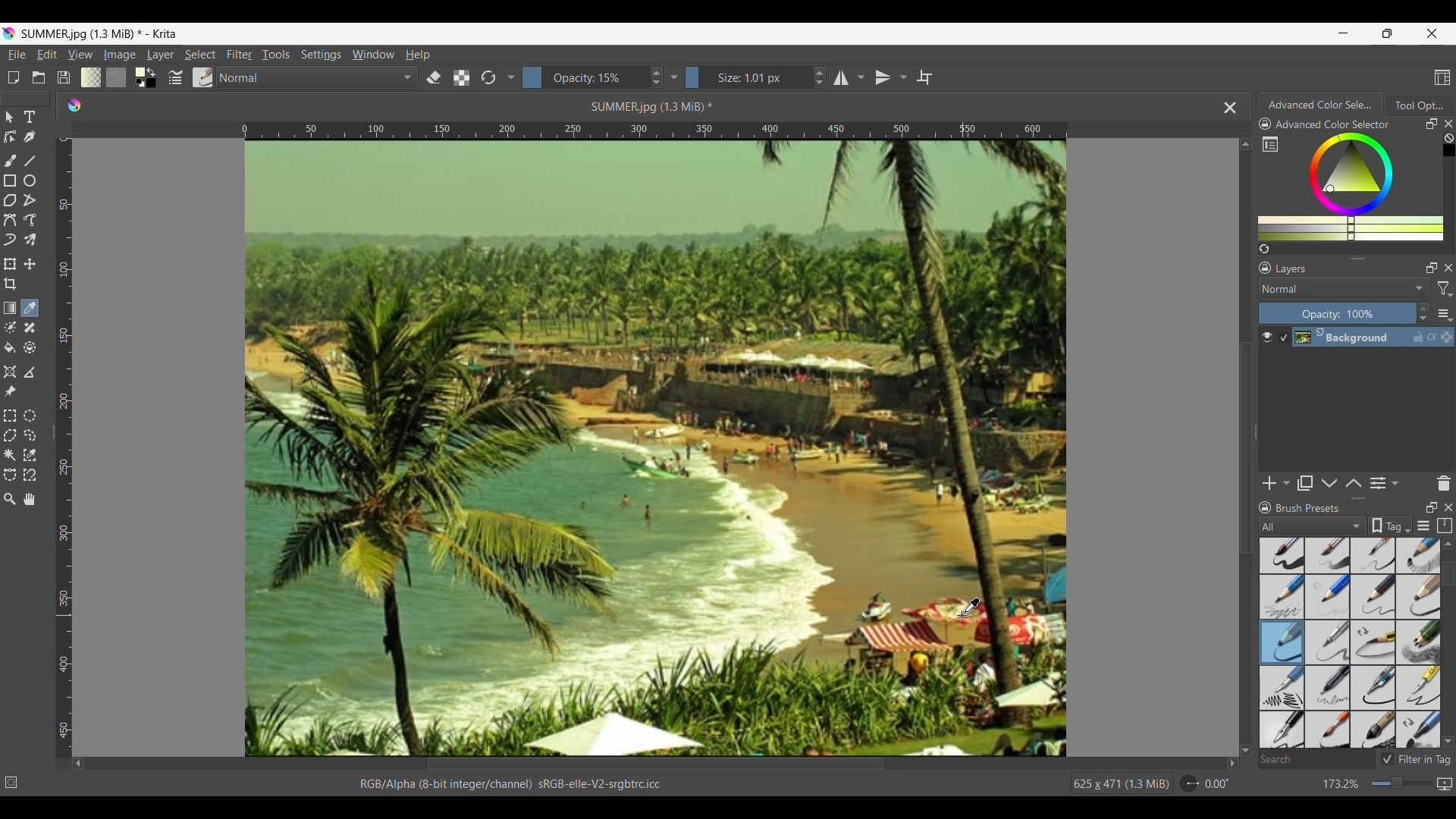 Image resolution: width=1456 pixels, height=819 pixels. I want to click on Change width of panels attached to the line, so click(1255, 441).